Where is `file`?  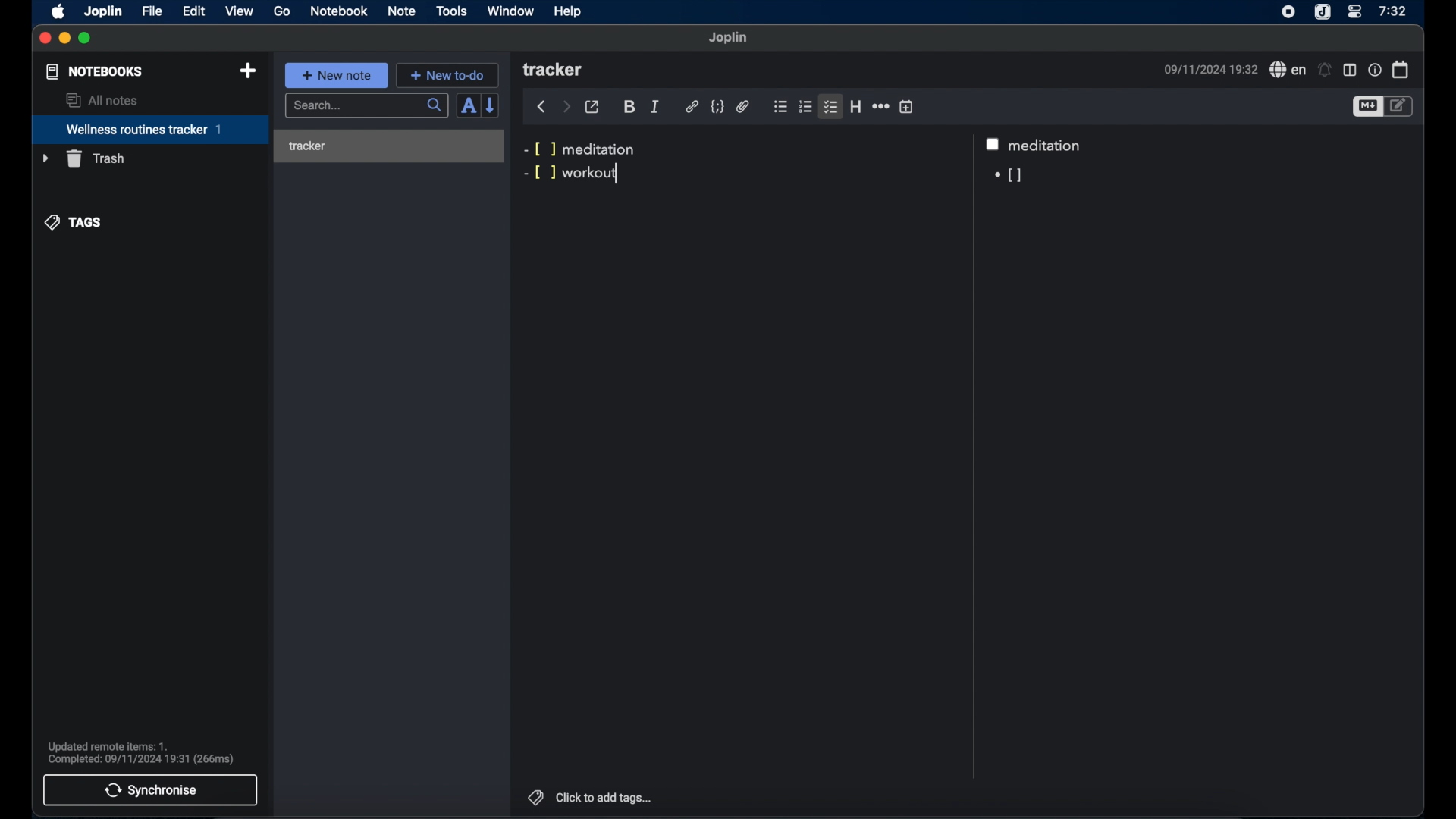 file is located at coordinates (152, 11).